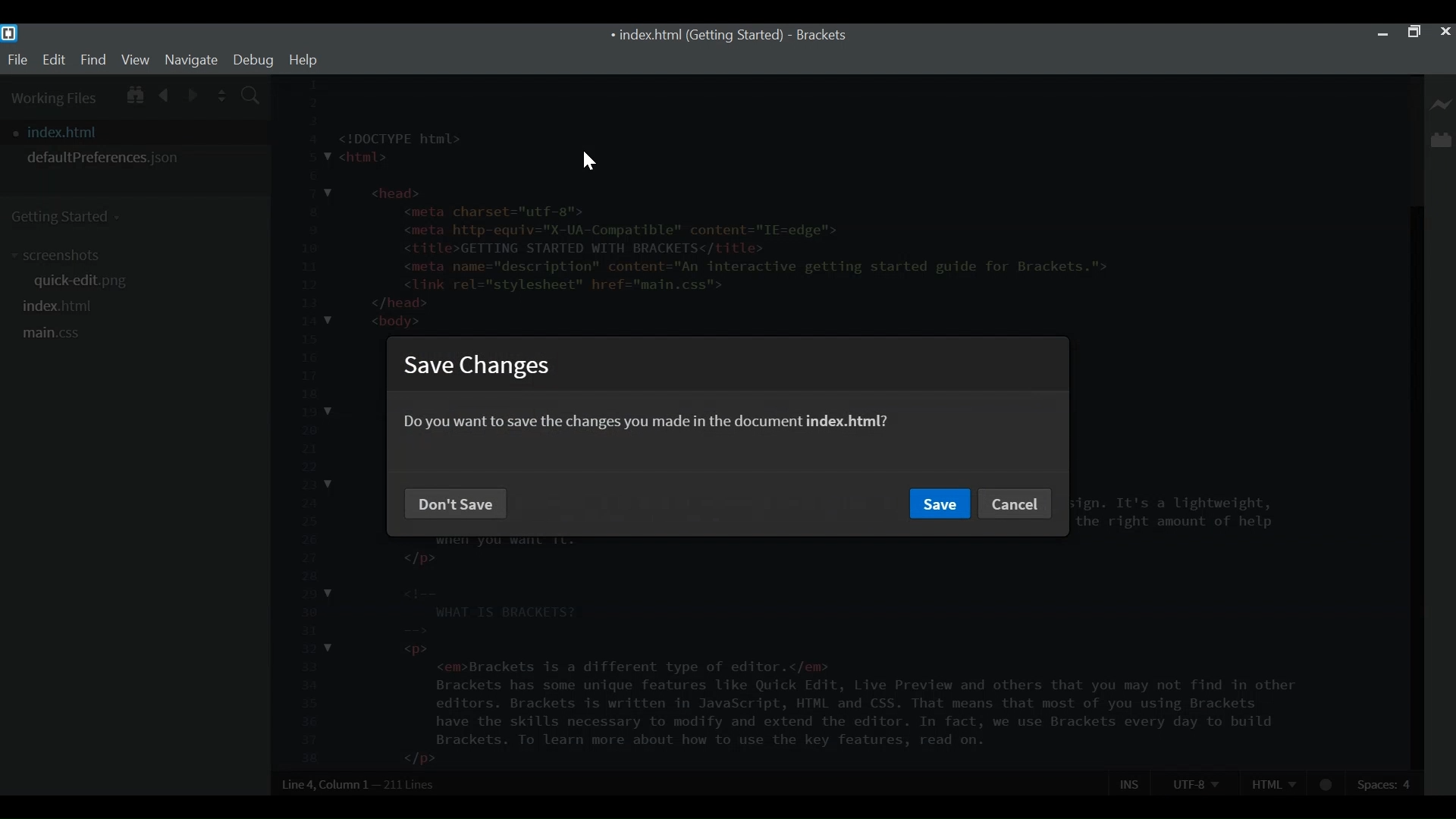 The image size is (1456, 819). Describe the element at coordinates (939, 504) in the screenshot. I see `Save` at that location.